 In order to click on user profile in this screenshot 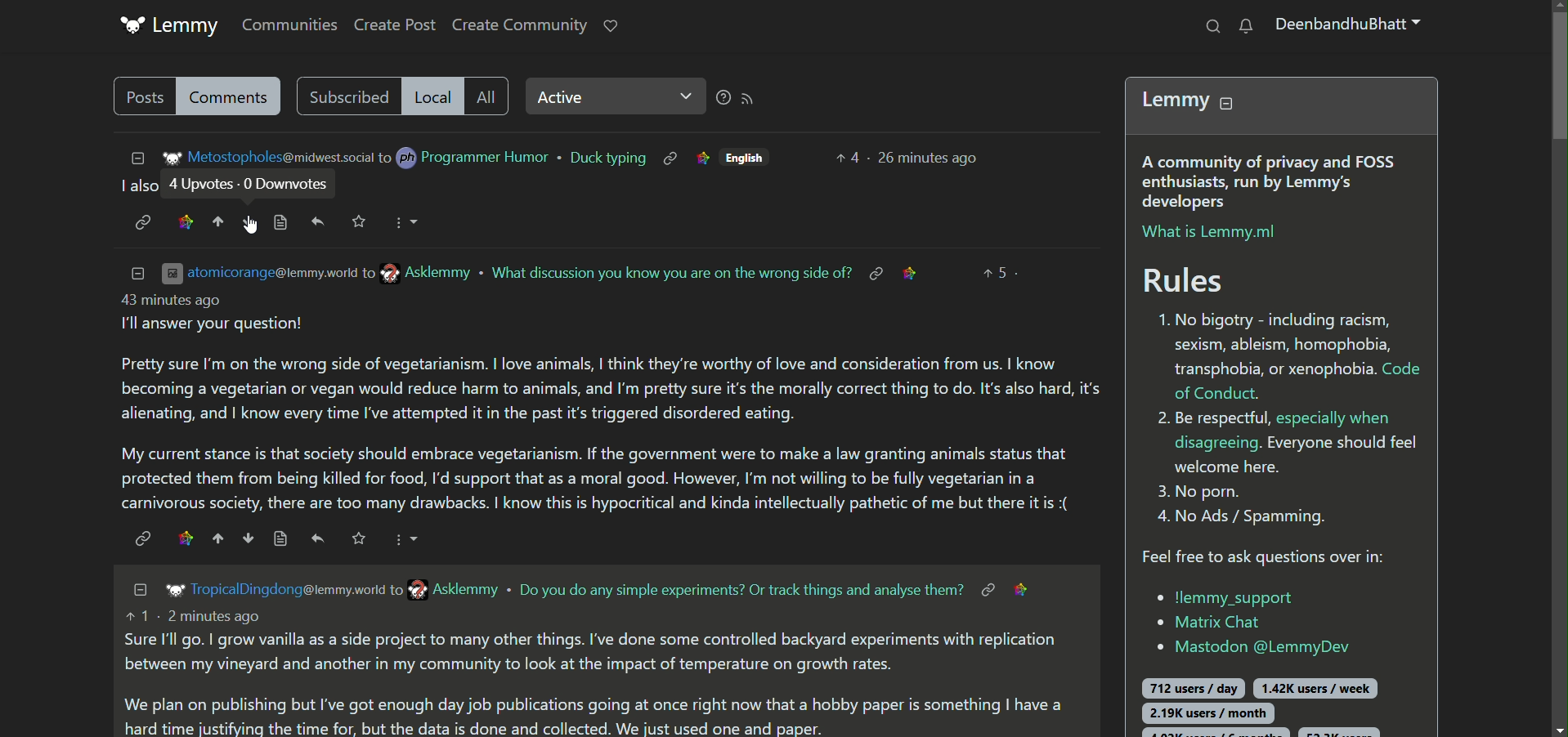, I will do `click(1351, 28)`.